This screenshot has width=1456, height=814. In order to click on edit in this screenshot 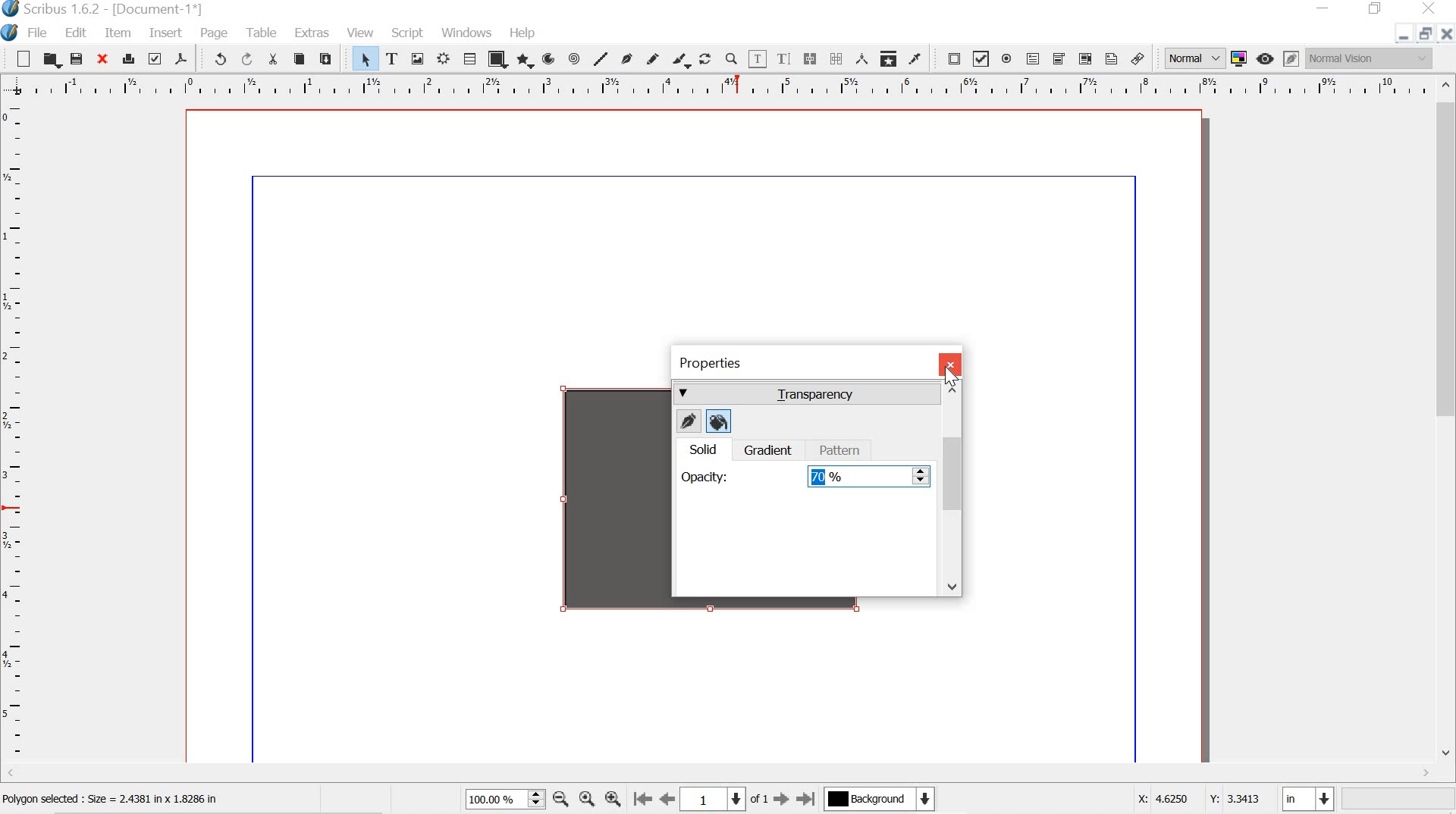, I will do `click(70, 32)`.